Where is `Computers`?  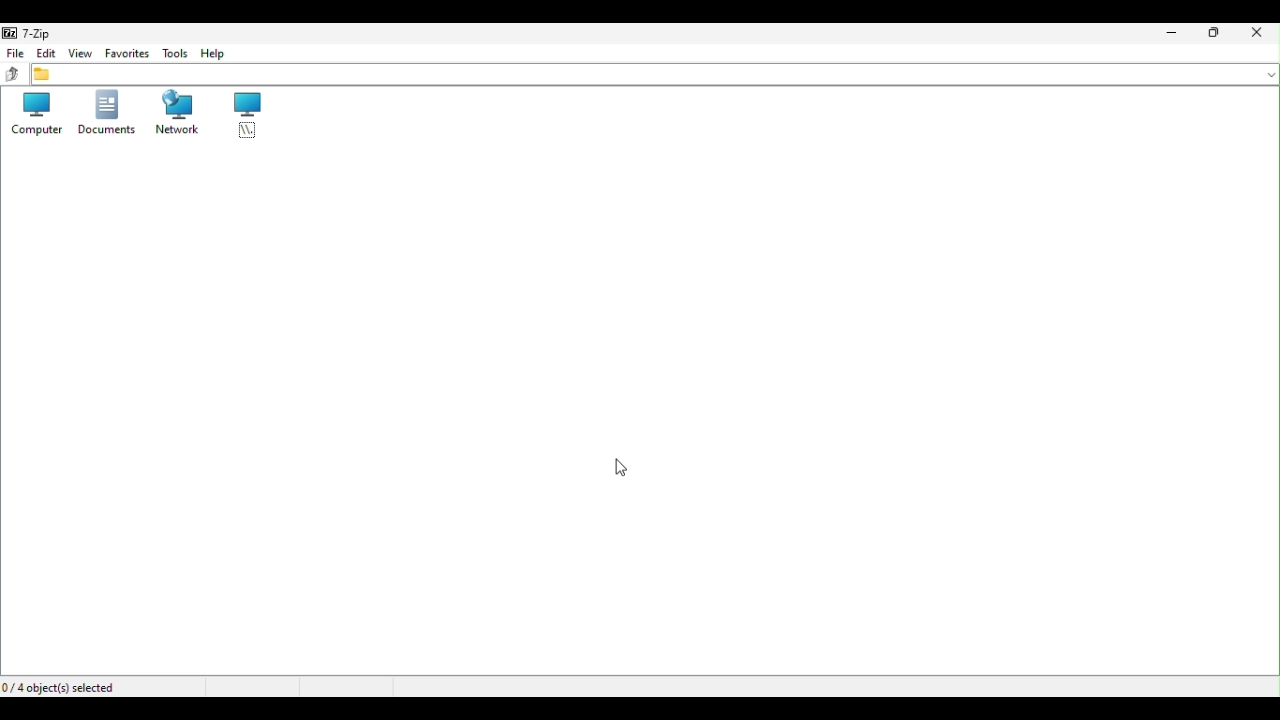
Computers is located at coordinates (37, 114).